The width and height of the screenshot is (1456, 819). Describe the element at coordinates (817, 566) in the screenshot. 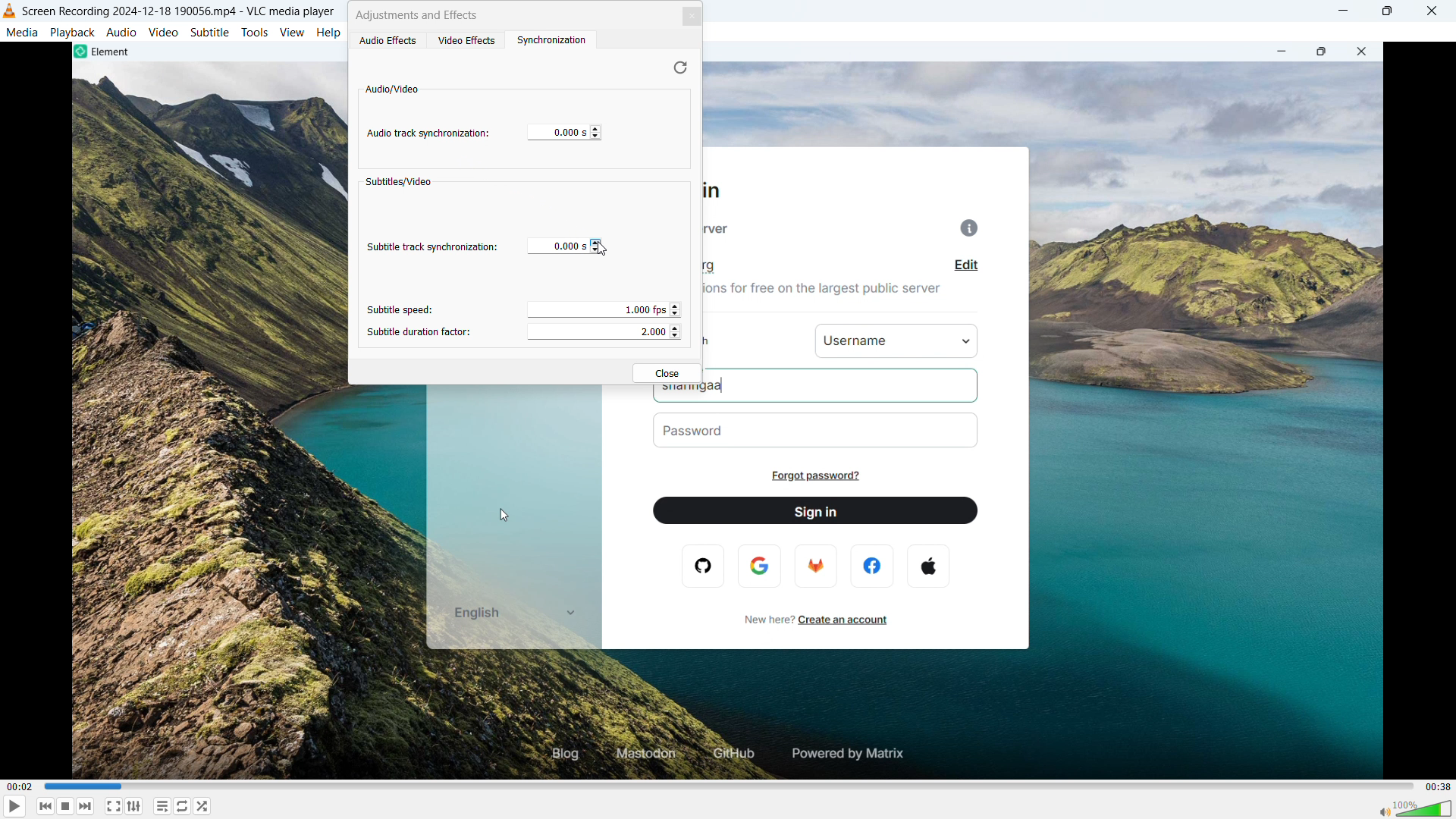

I see `firefox logo` at that location.